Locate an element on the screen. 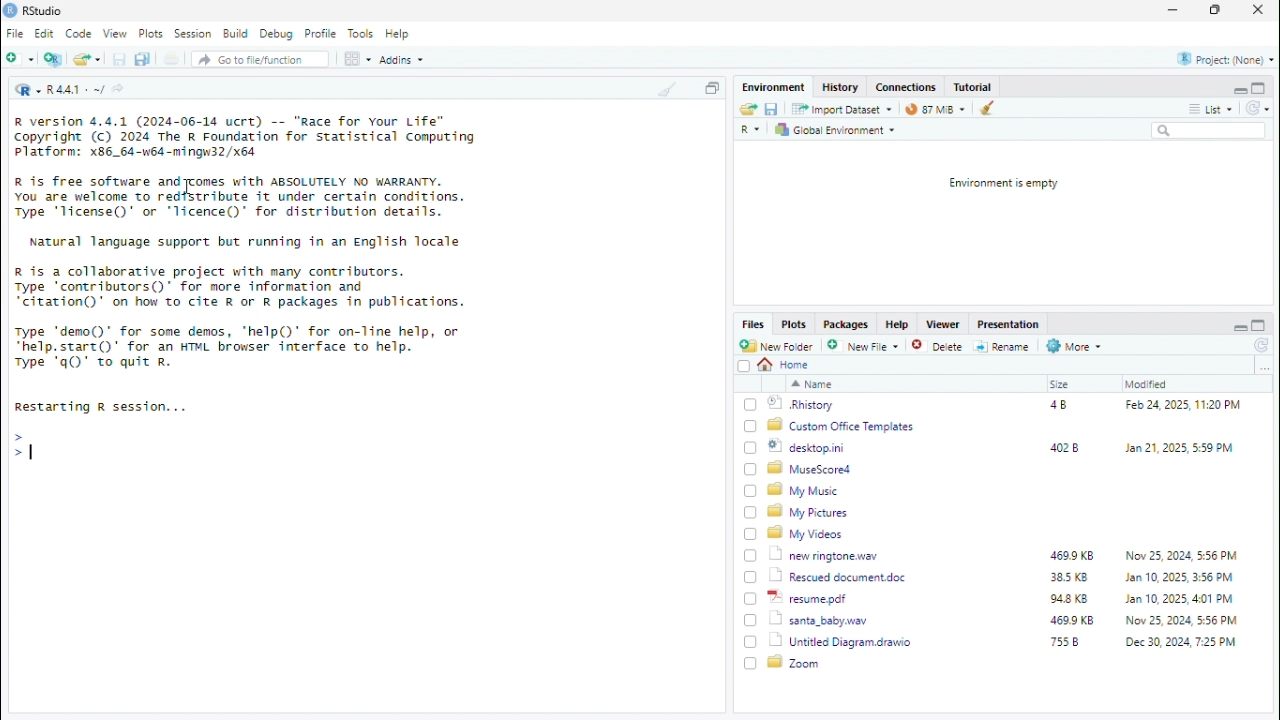 This screenshot has height=720, width=1280. Packages is located at coordinates (847, 325).